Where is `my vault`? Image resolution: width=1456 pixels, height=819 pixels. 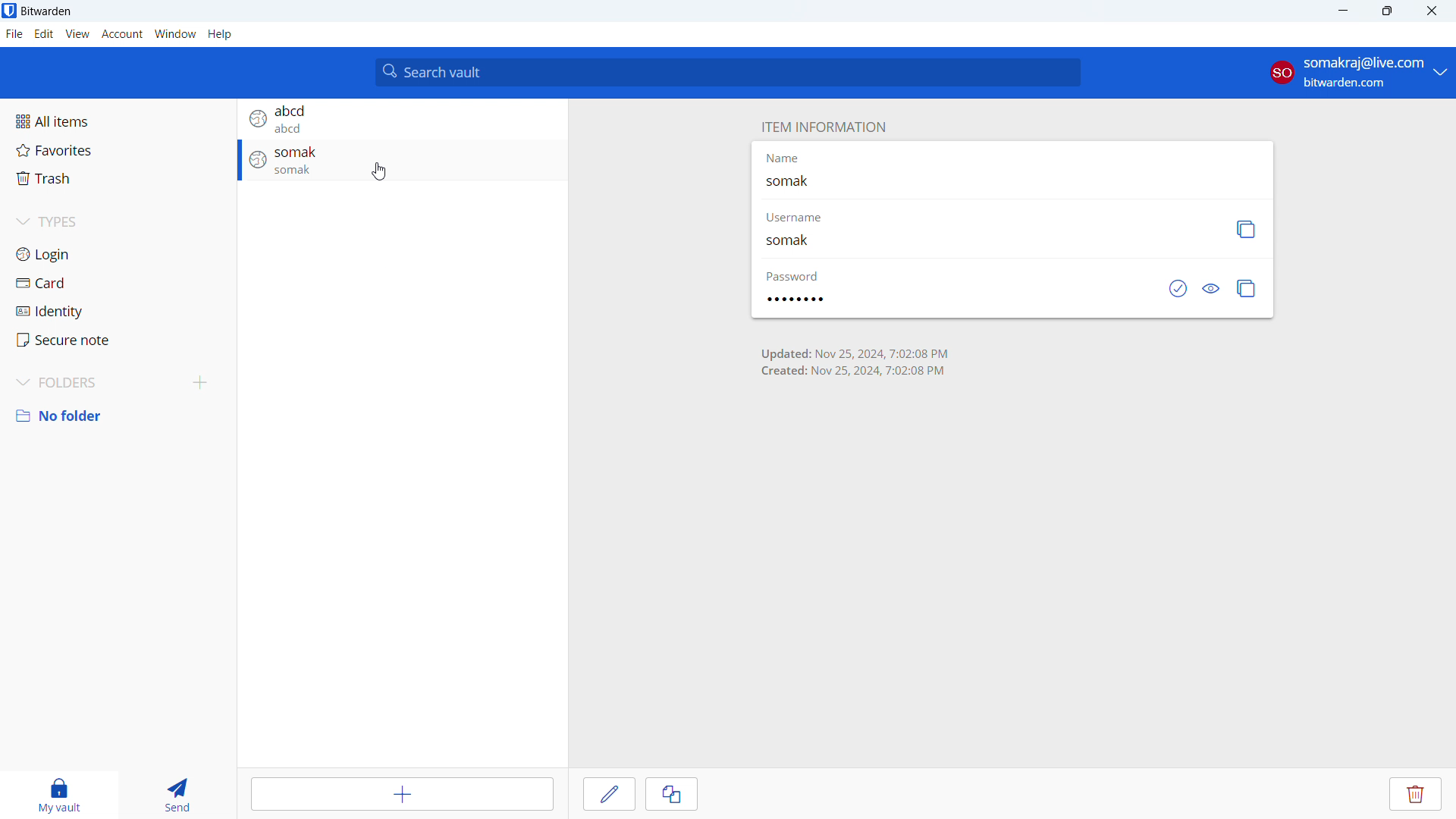 my vault is located at coordinates (58, 795).